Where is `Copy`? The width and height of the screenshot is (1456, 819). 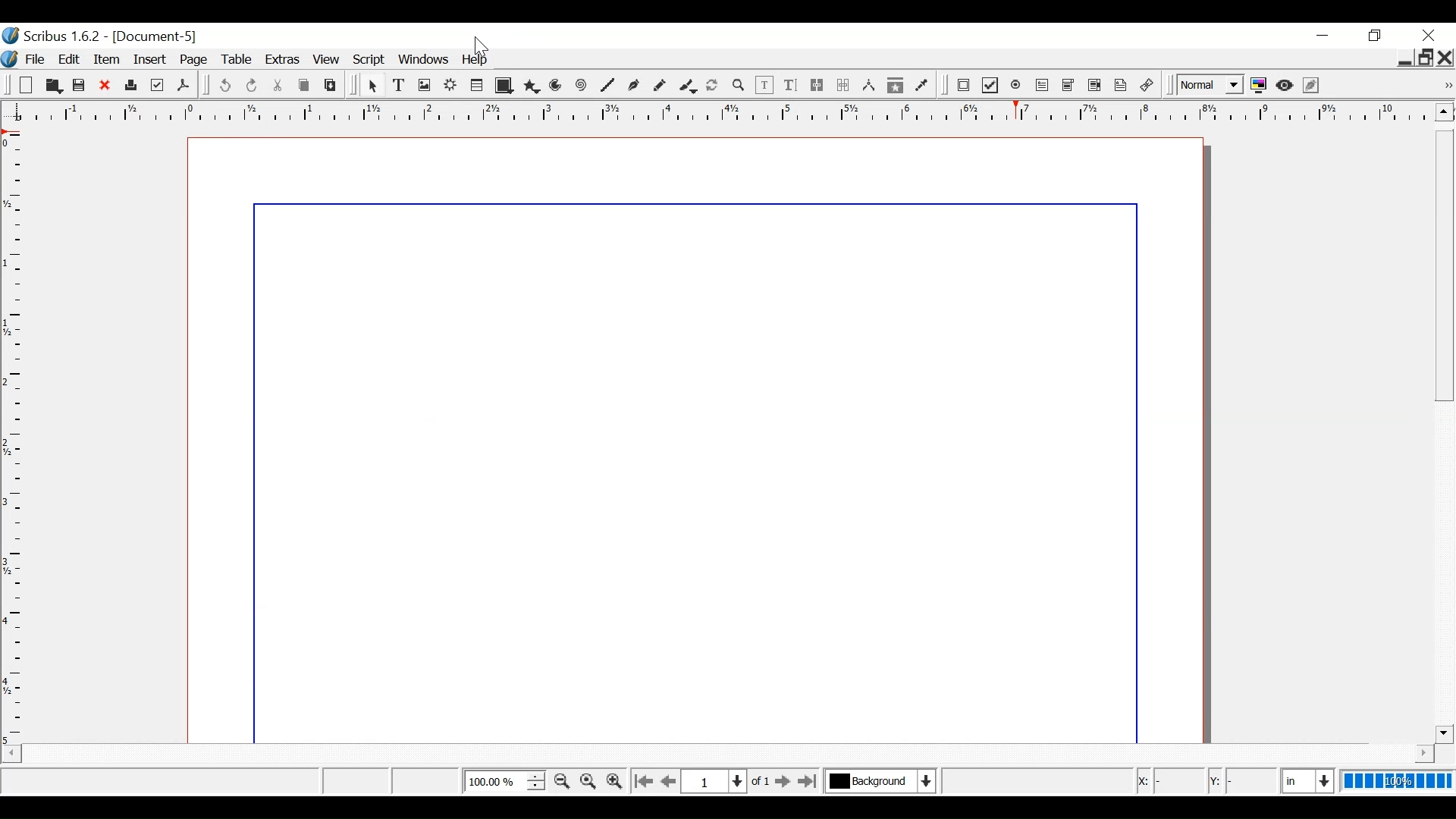
Copy is located at coordinates (306, 86).